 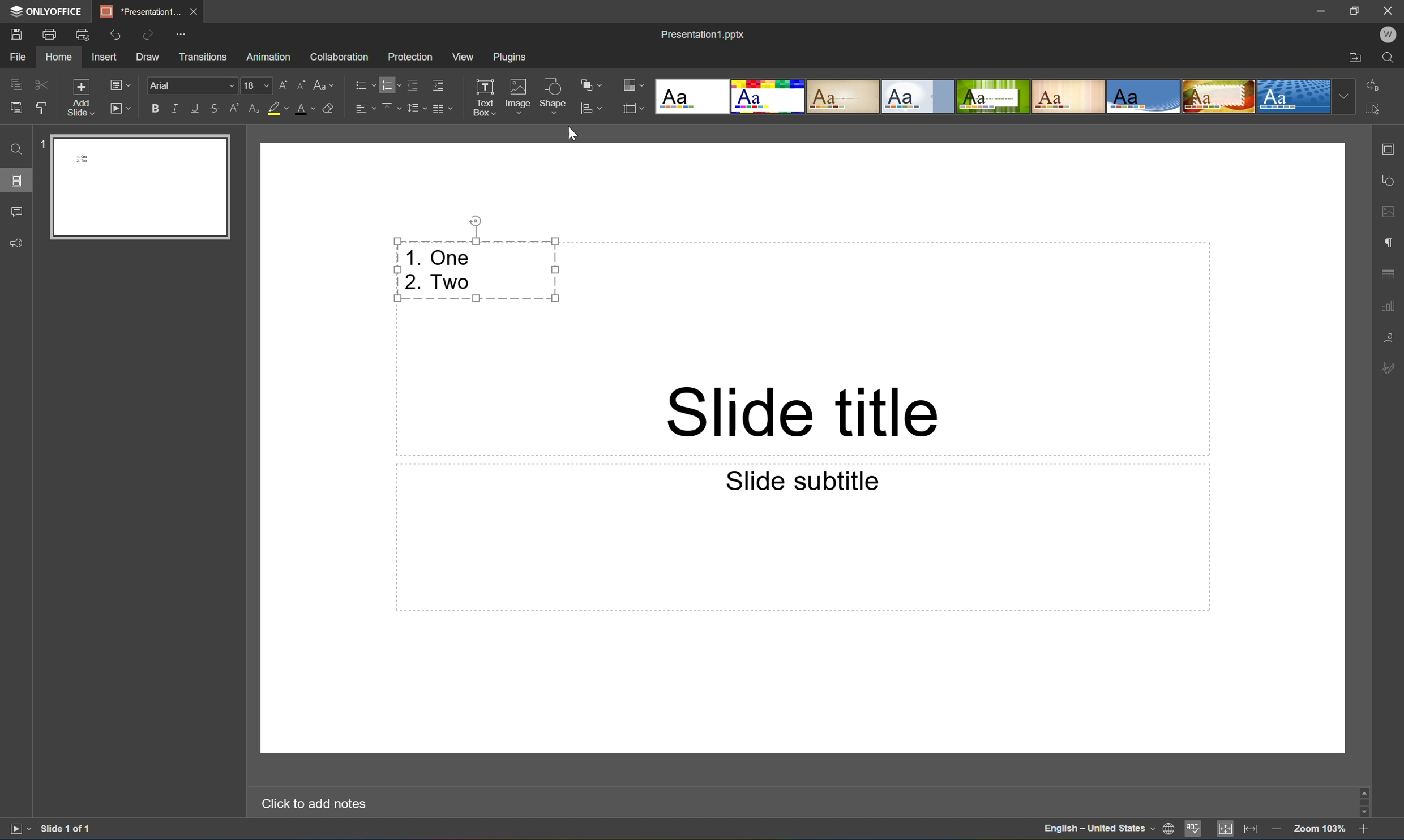 What do you see at coordinates (320, 85) in the screenshot?
I see `Change case` at bounding box center [320, 85].